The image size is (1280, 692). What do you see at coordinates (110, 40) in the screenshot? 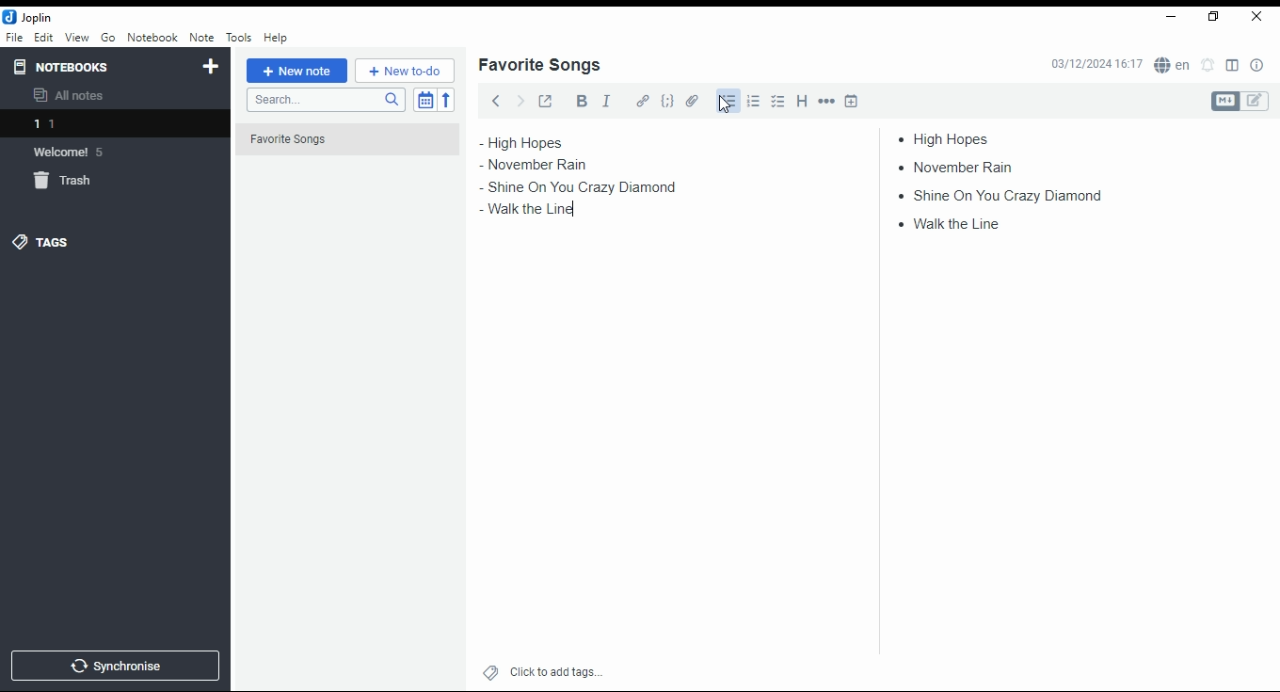
I see `go` at bounding box center [110, 40].